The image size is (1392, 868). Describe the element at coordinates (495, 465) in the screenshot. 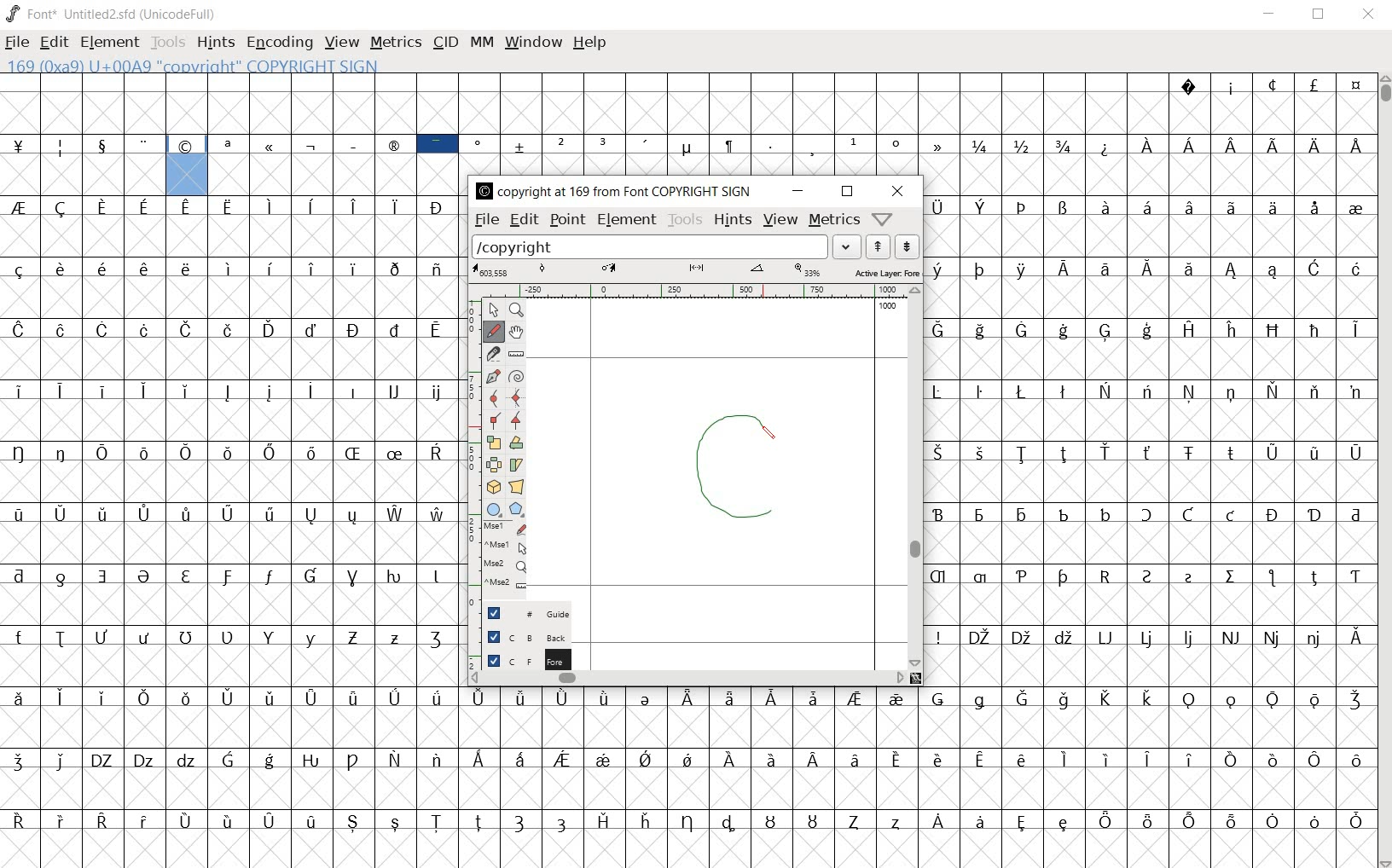

I see `flip the selection` at that location.